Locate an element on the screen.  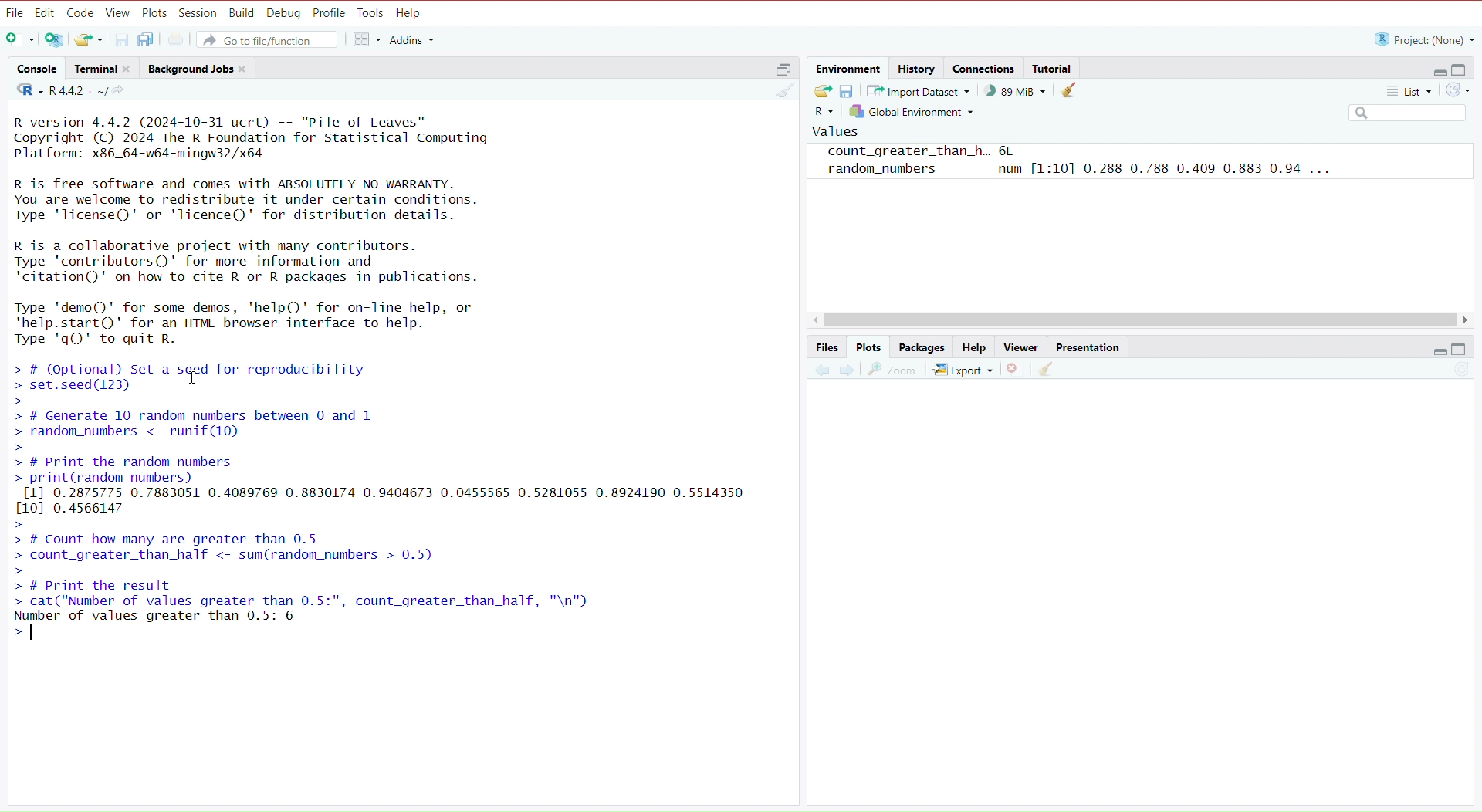
Scroll is located at coordinates (1142, 320).